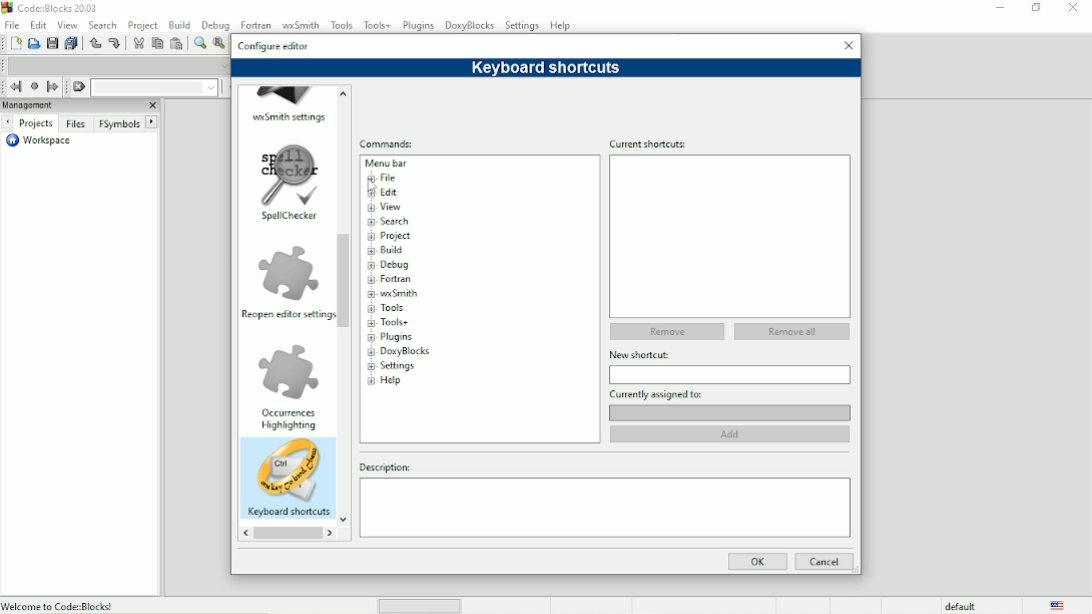 Image resolution: width=1092 pixels, height=614 pixels. Describe the element at coordinates (392, 207) in the screenshot. I see `View` at that location.